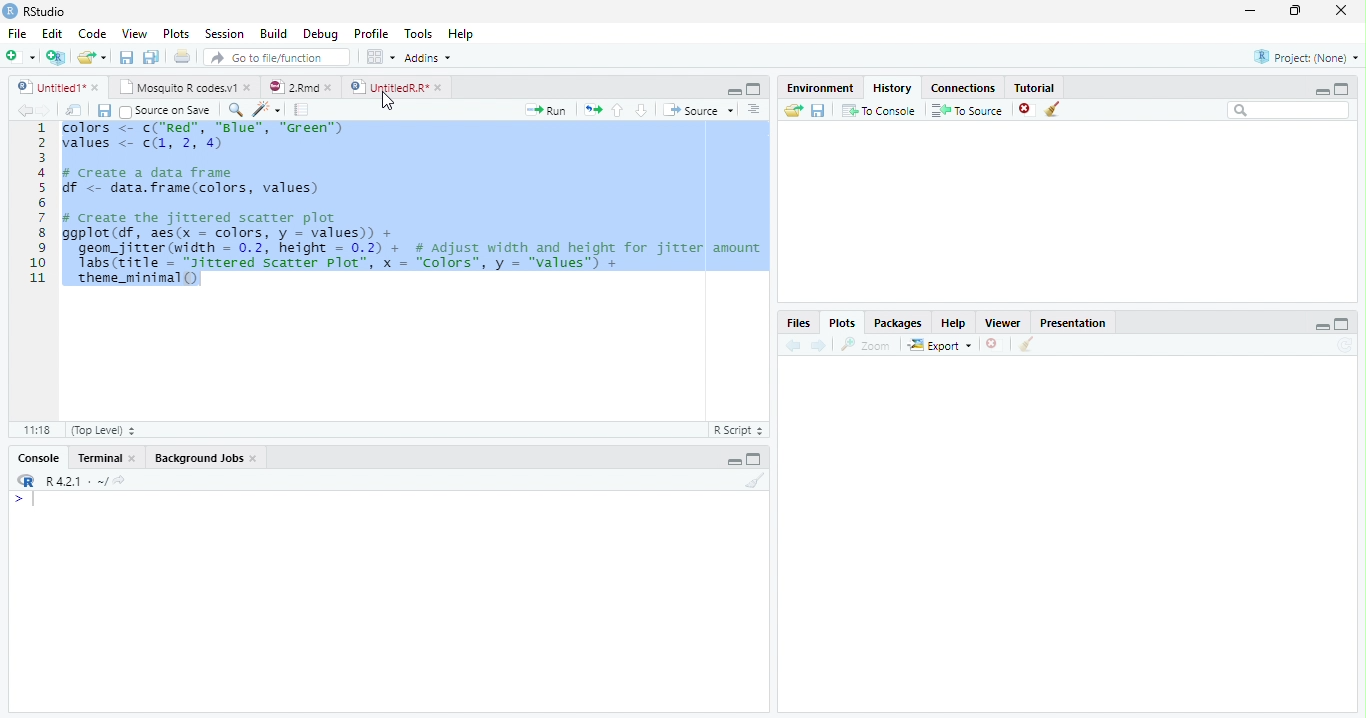 This screenshot has width=1366, height=718. Describe the element at coordinates (105, 111) in the screenshot. I see `Save current document` at that location.